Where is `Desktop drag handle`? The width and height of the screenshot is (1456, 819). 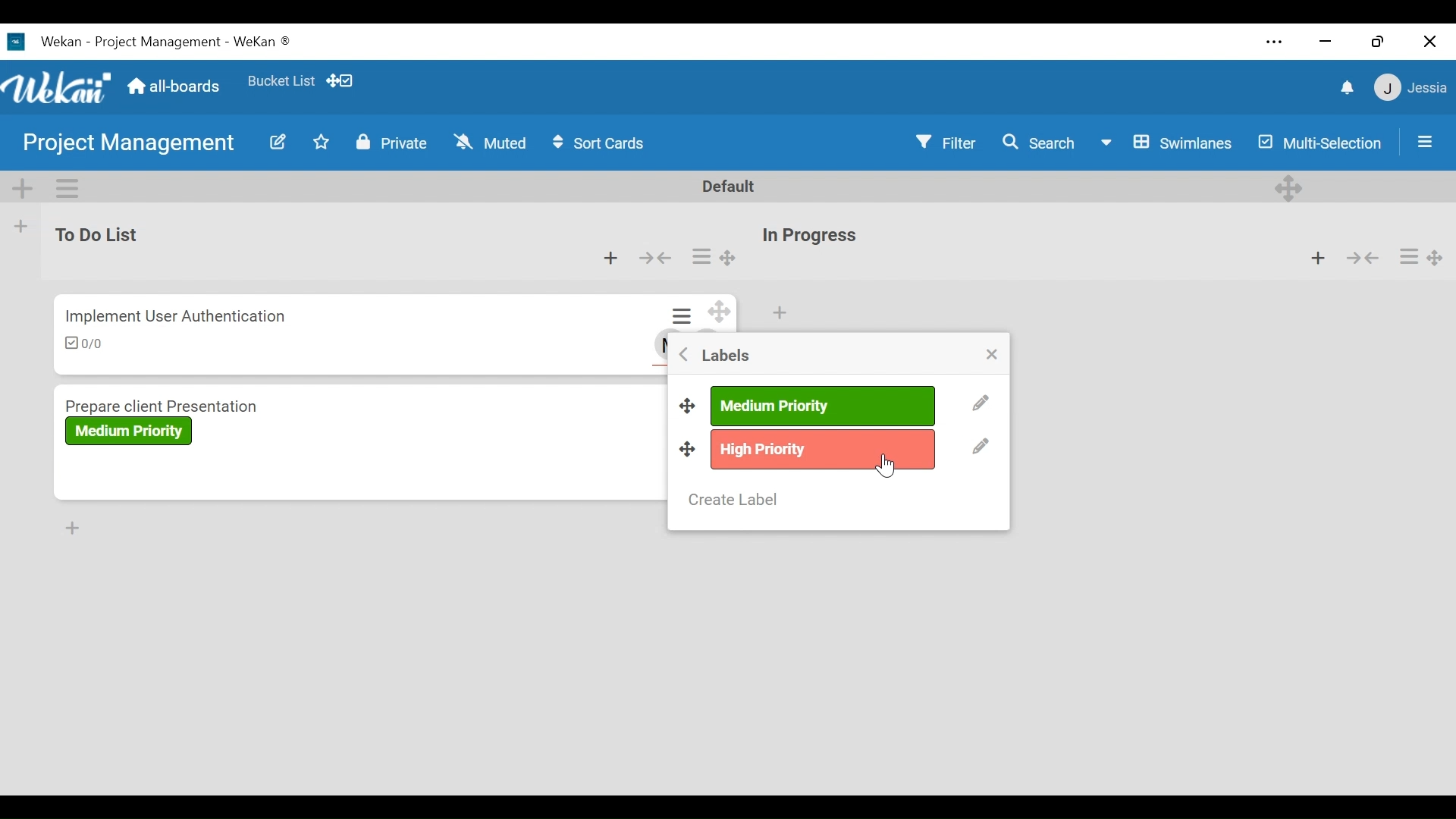 Desktop drag handle is located at coordinates (720, 314).